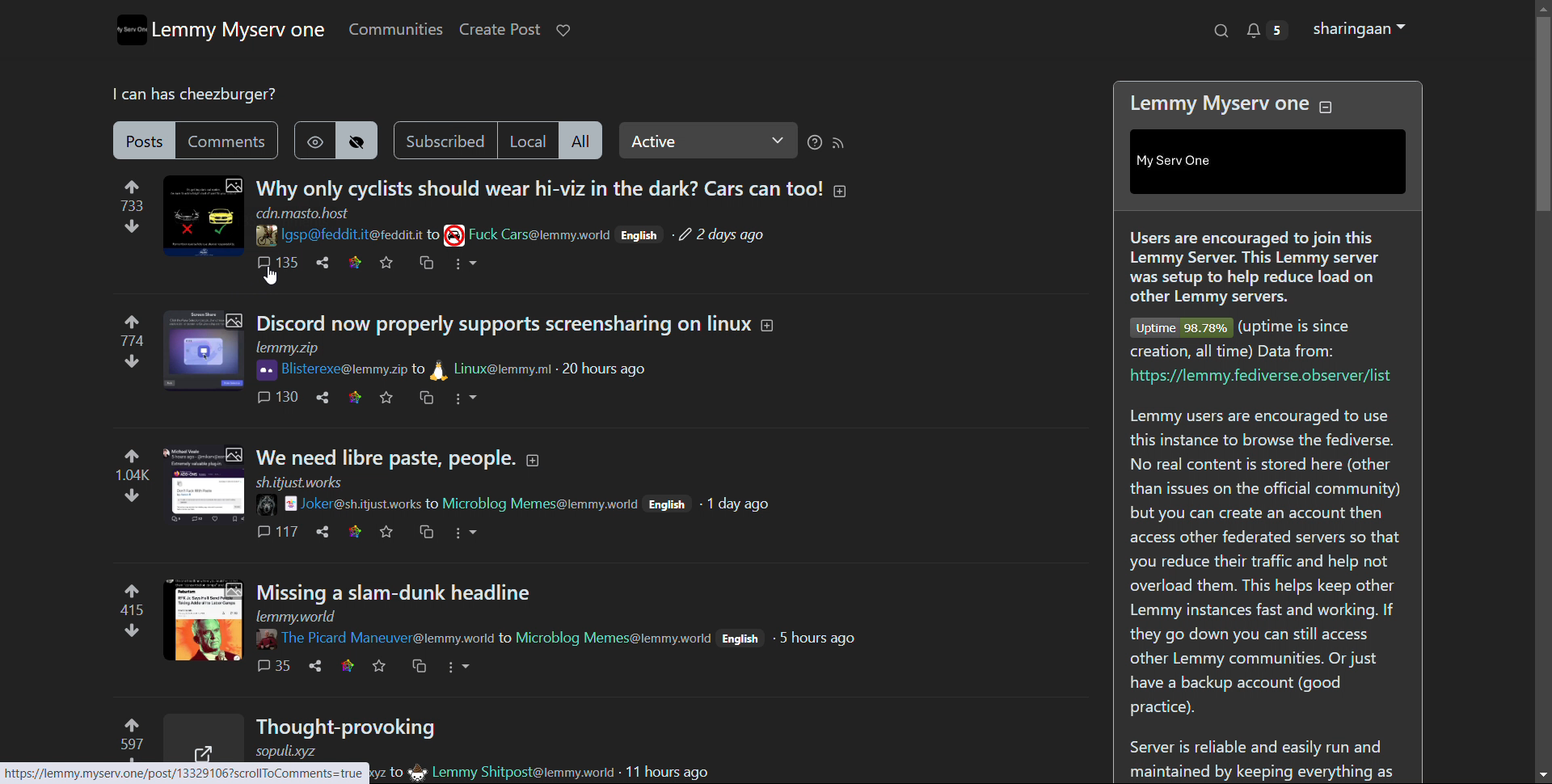 Image resolution: width=1552 pixels, height=784 pixels. I want to click on crosspost, so click(426, 533).